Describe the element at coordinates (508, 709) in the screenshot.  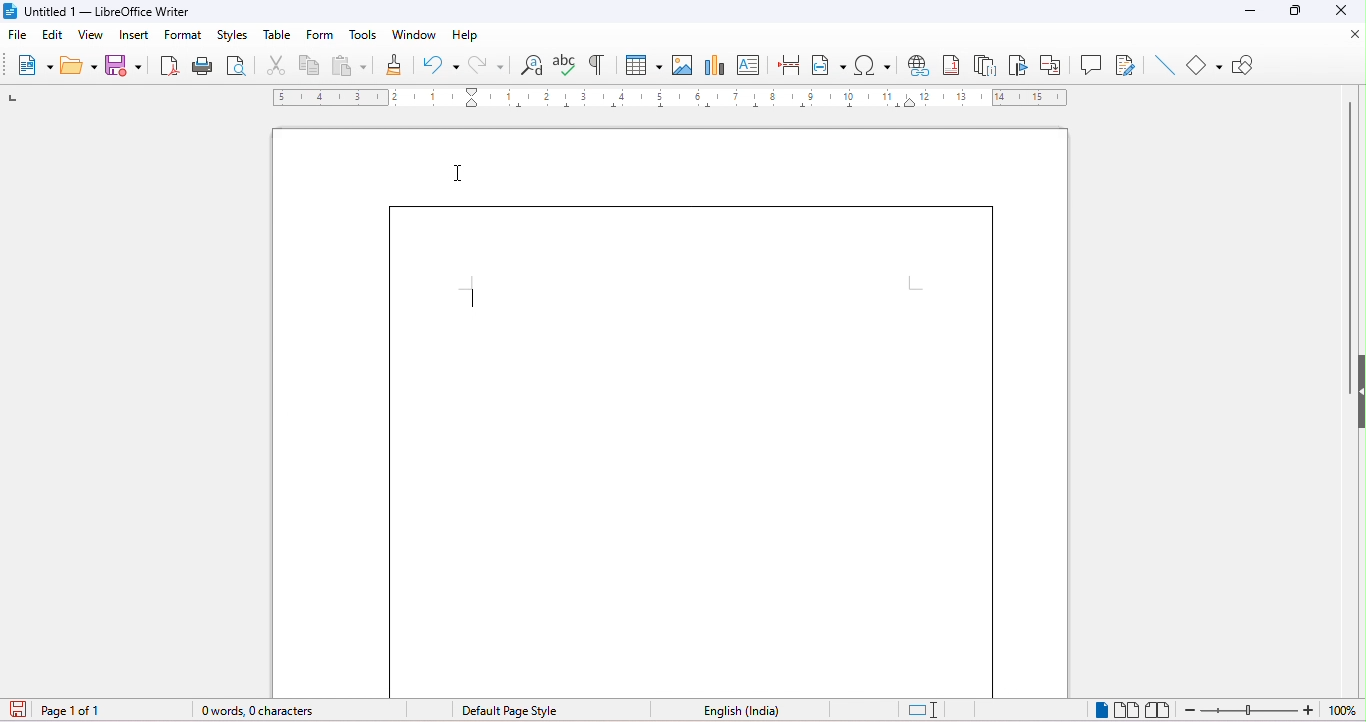
I see `page style ` at that location.